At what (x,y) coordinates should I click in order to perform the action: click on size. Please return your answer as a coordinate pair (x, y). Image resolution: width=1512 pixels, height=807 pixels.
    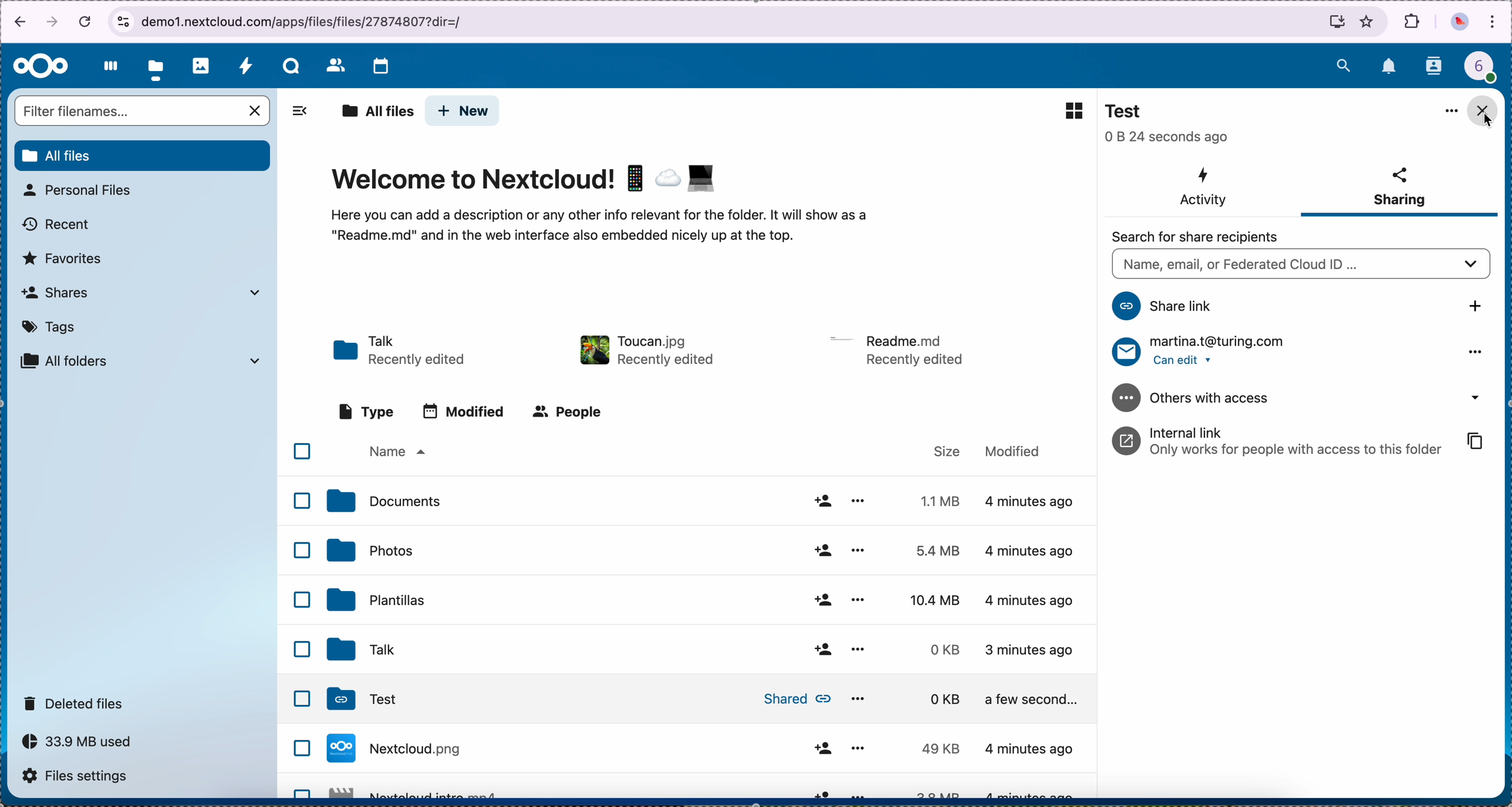
    Looking at the image, I should click on (948, 450).